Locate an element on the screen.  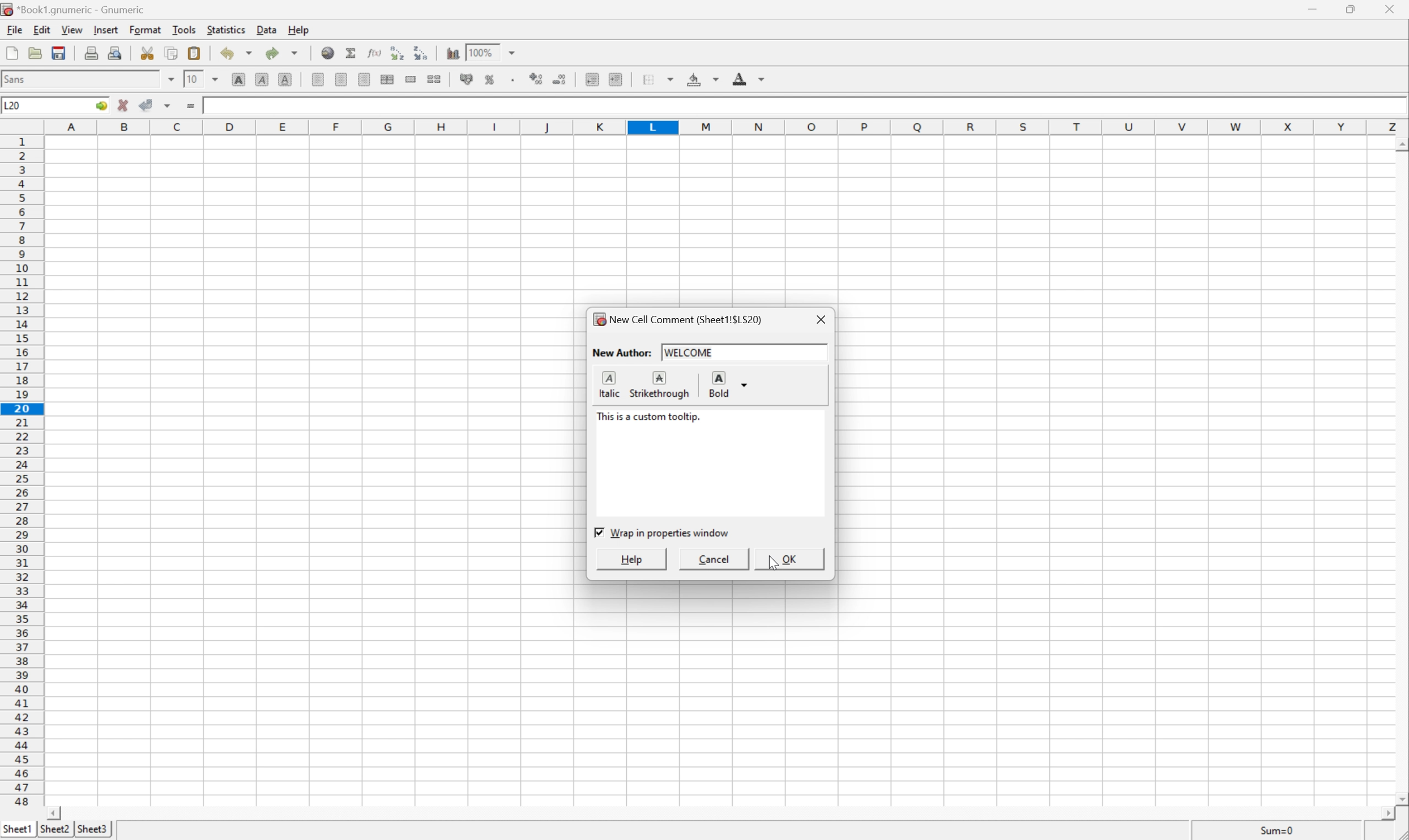
Edit function in current cell is located at coordinates (374, 52).